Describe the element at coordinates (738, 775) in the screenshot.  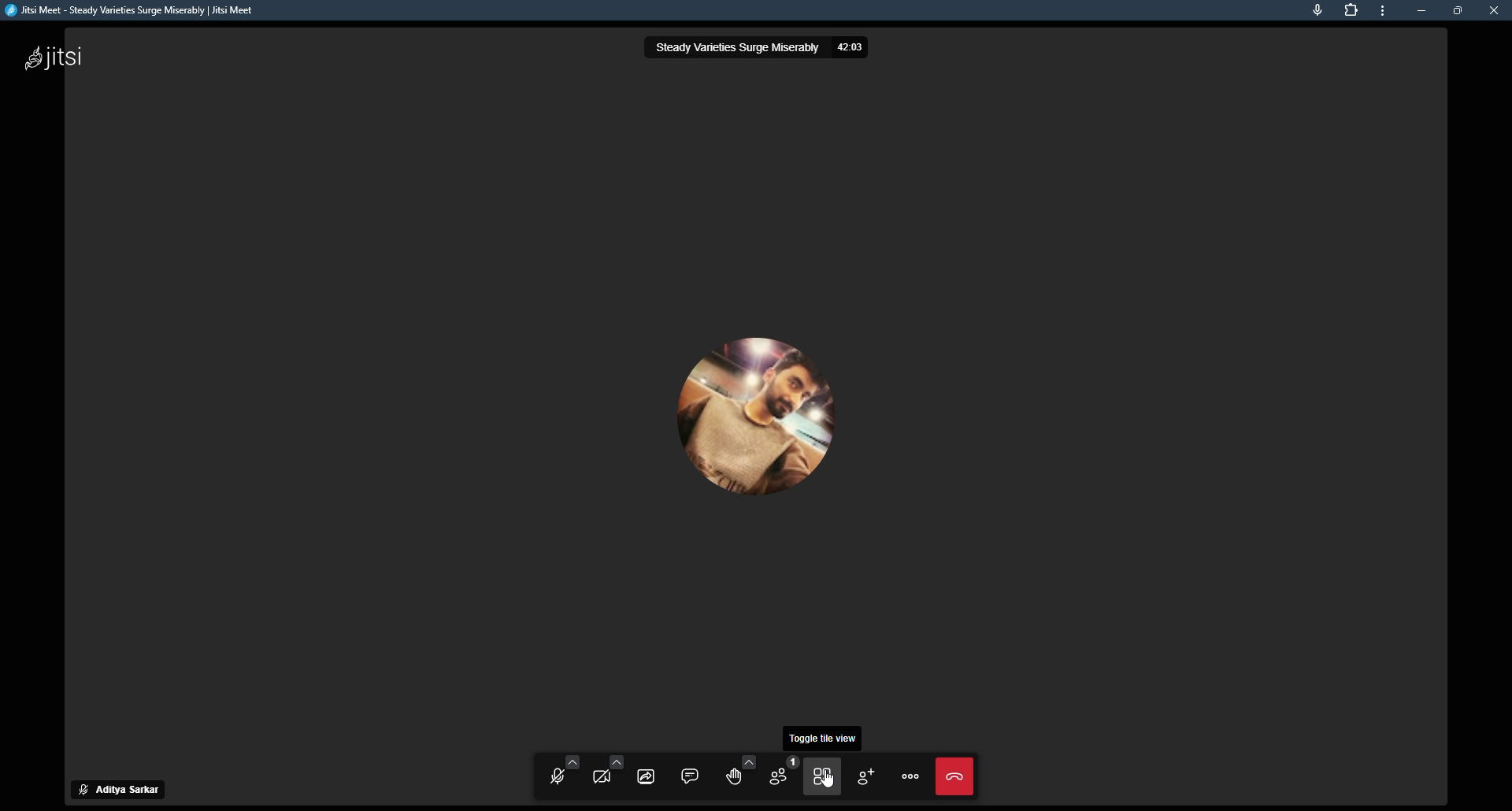
I see `raise hand` at that location.